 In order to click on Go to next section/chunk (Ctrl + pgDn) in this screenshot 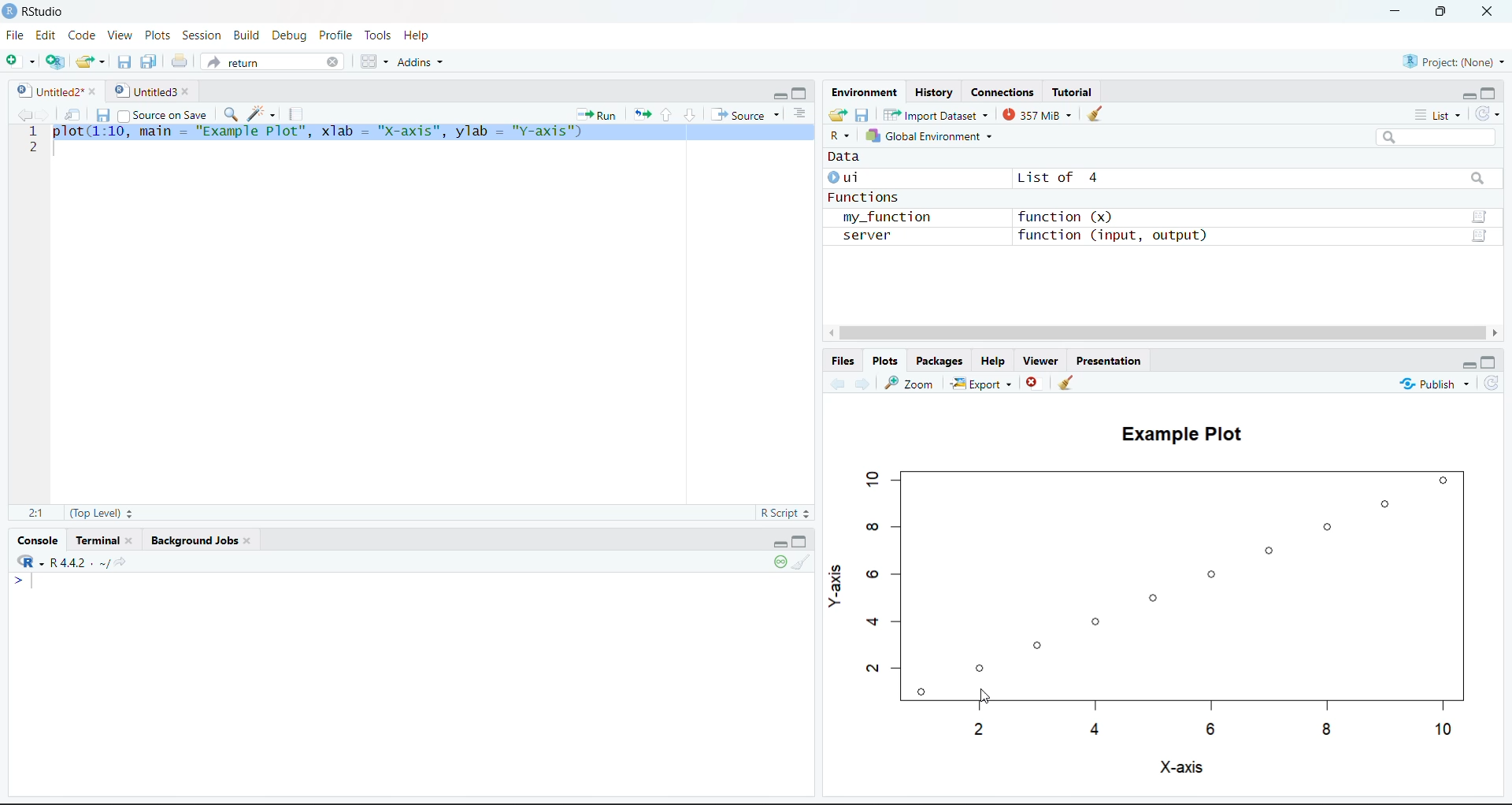, I will do `click(688, 113)`.